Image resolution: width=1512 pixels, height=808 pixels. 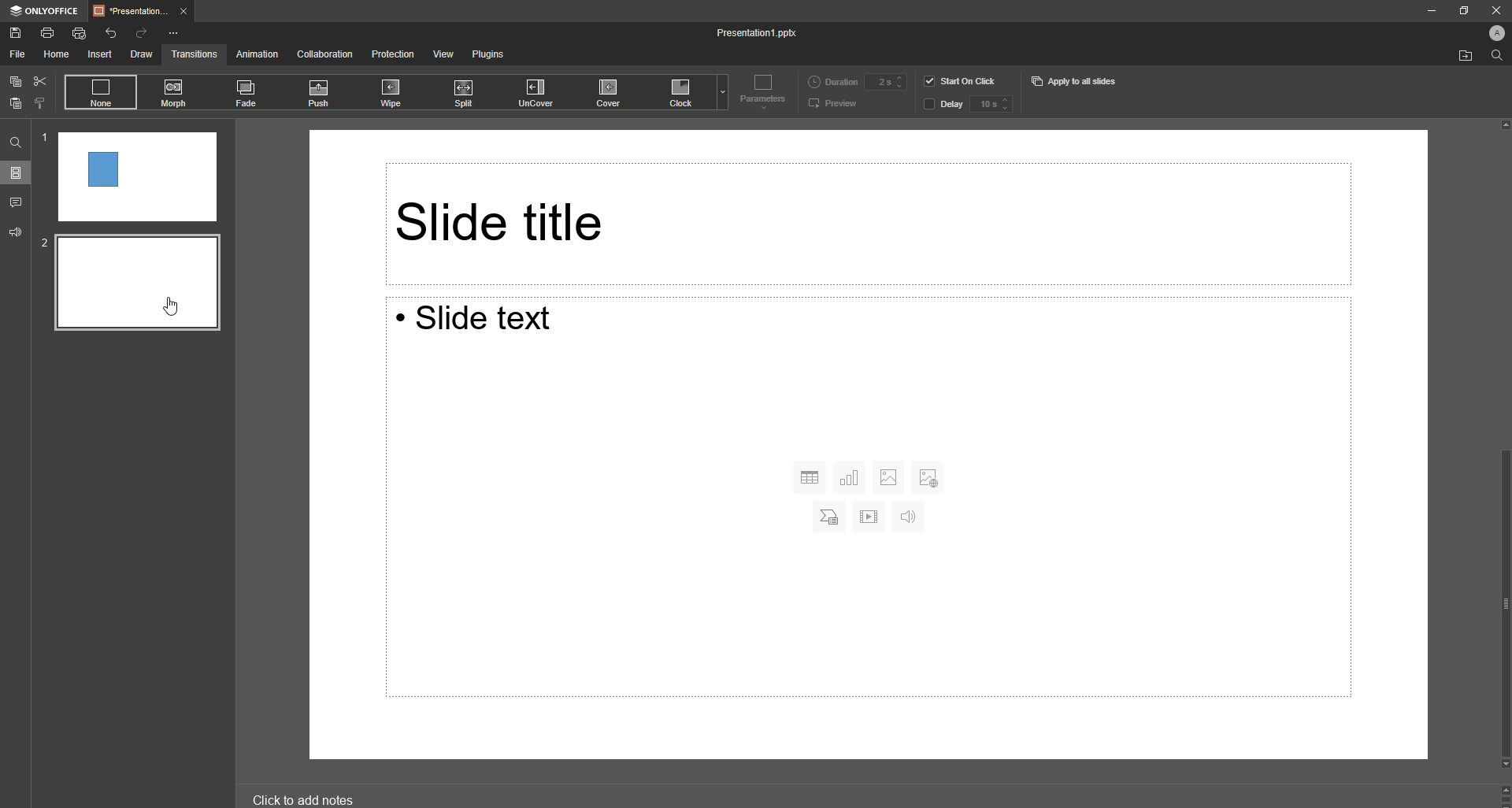 What do you see at coordinates (534, 95) in the screenshot?
I see `UnCover` at bounding box center [534, 95].